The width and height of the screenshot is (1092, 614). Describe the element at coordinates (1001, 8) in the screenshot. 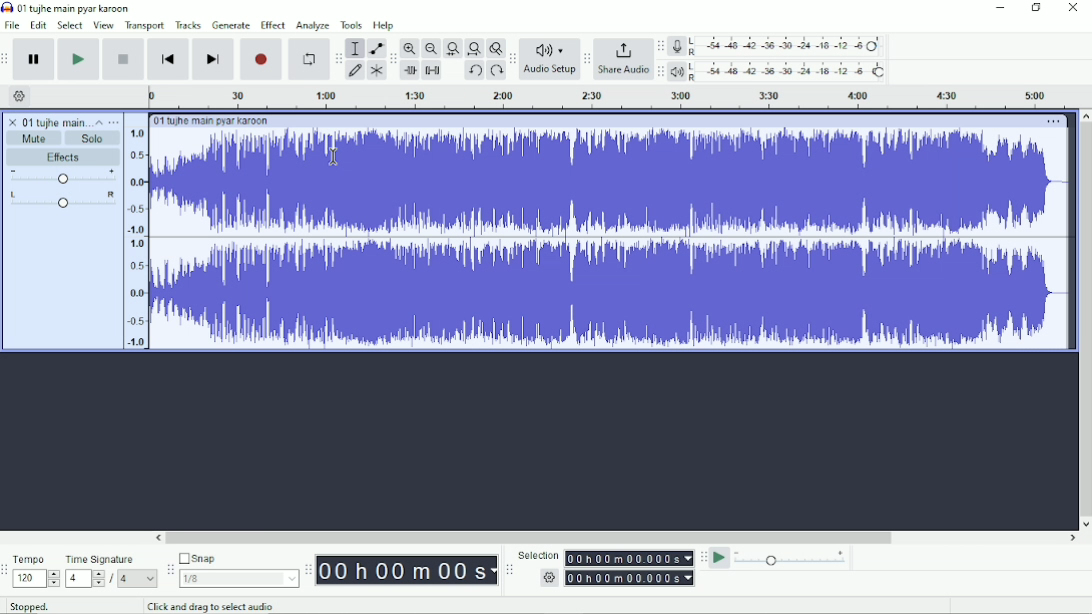

I see `Minimize` at that location.